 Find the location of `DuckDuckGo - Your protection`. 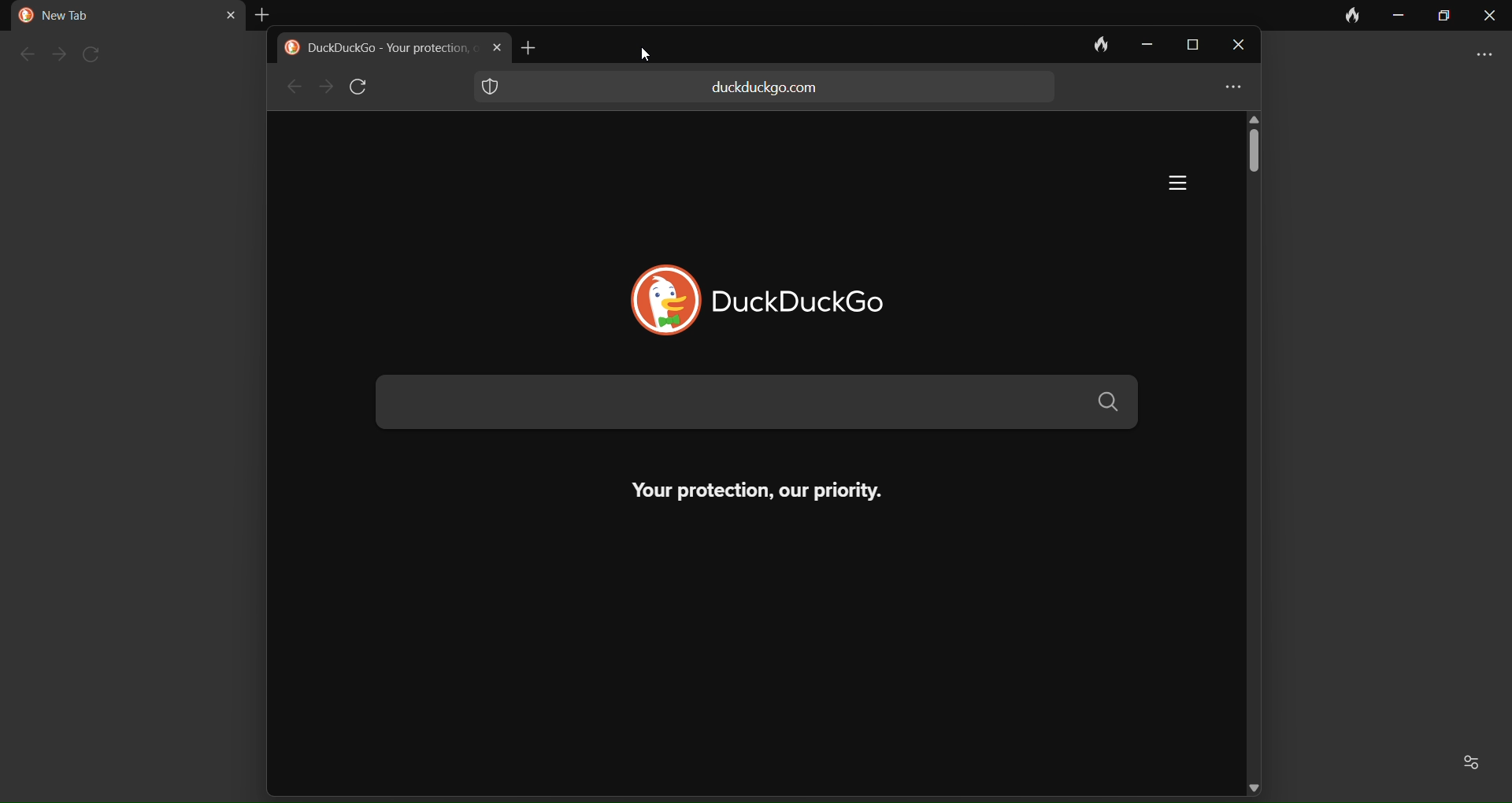

DuckDuckGo - Your protection is located at coordinates (387, 49).